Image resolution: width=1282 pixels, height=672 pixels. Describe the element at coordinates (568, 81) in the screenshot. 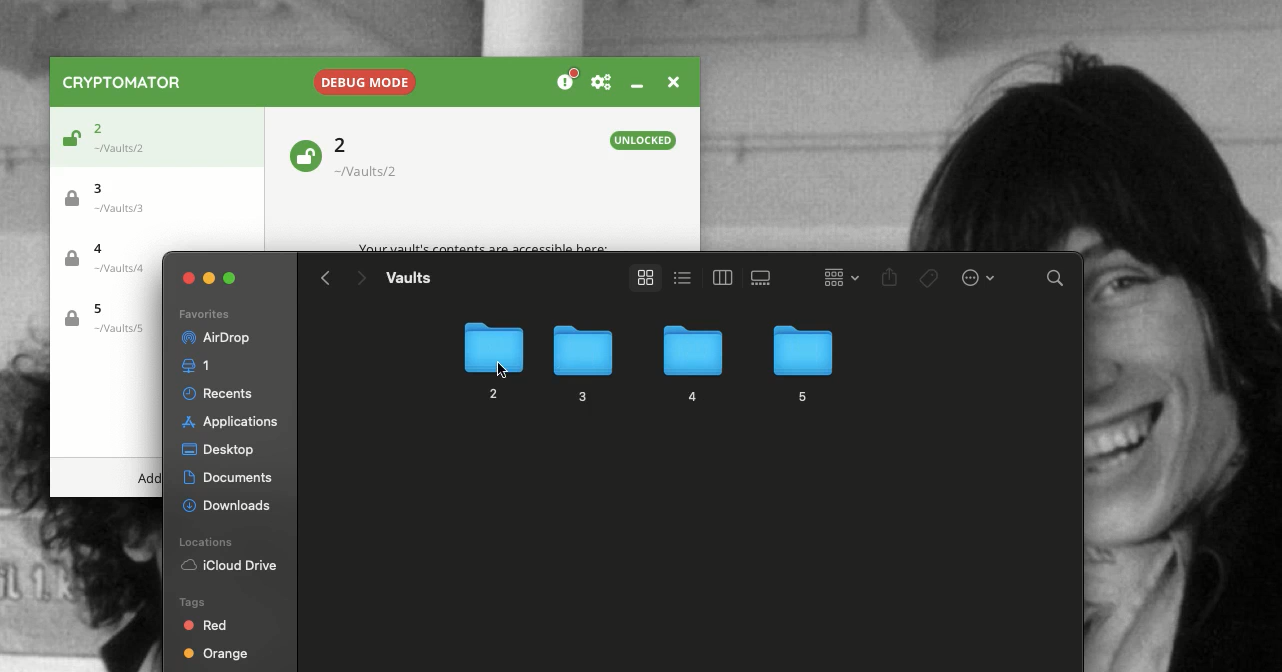

I see `Donation` at that location.